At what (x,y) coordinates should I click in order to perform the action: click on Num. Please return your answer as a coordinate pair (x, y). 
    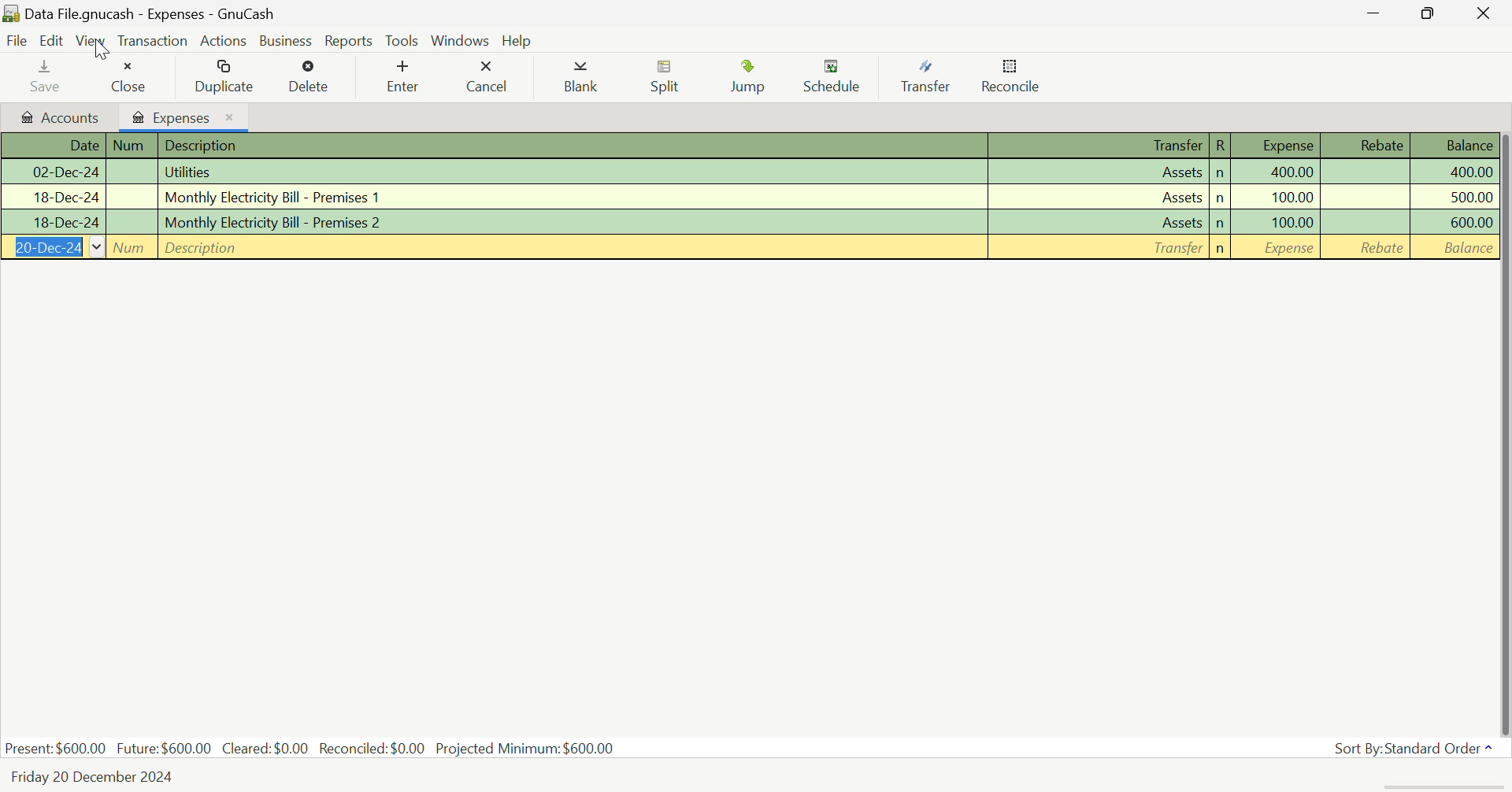
    Looking at the image, I should click on (131, 222).